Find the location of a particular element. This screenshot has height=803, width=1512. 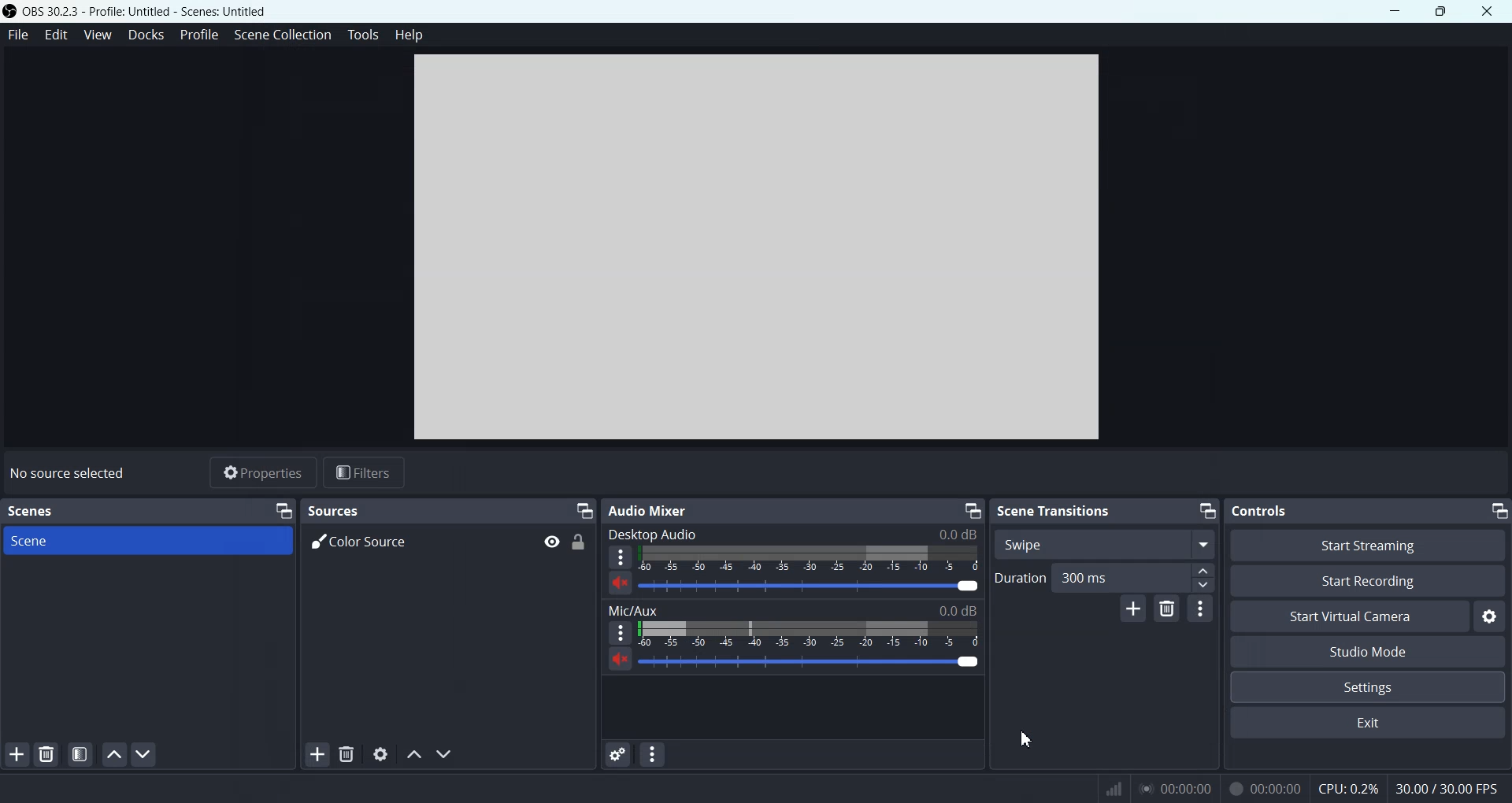

Minimize is located at coordinates (971, 509).